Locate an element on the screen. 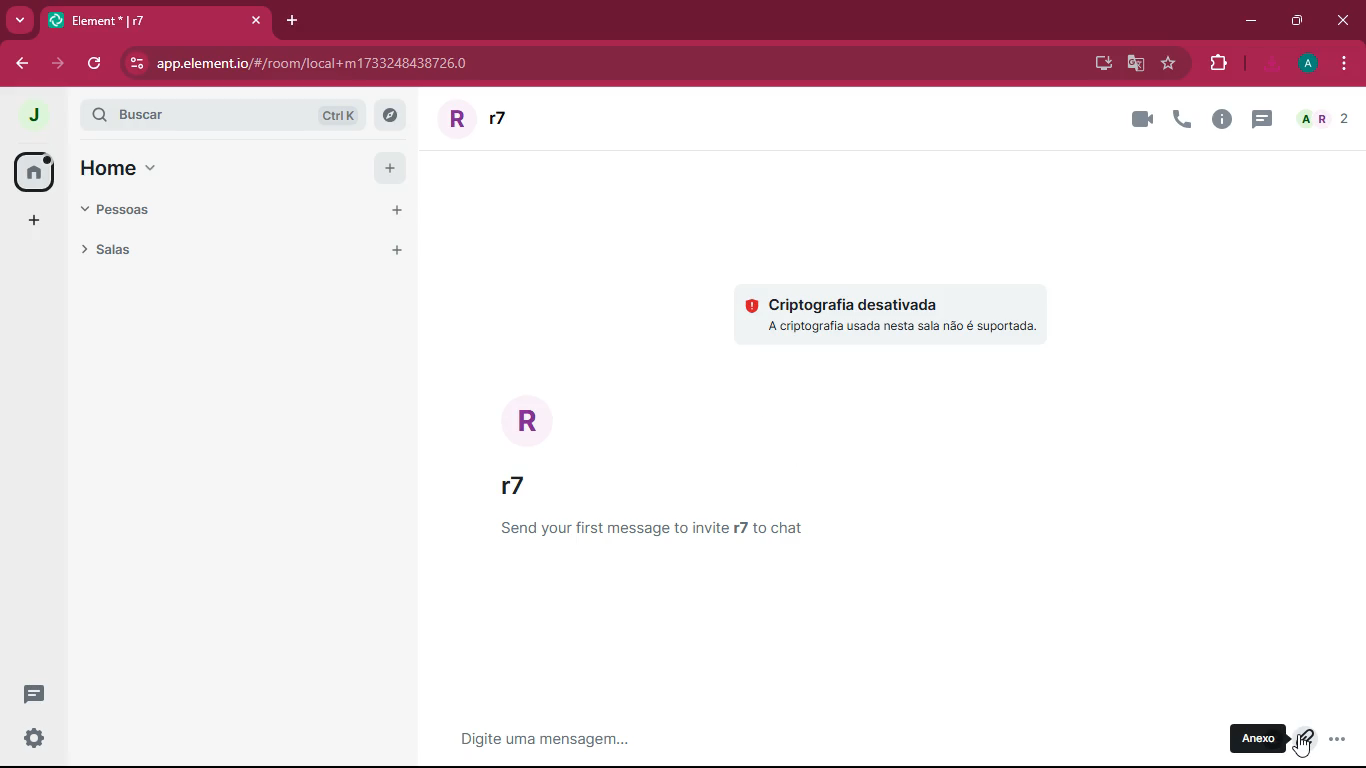 This screenshot has width=1366, height=768. message is located at coordinates (720, 737).